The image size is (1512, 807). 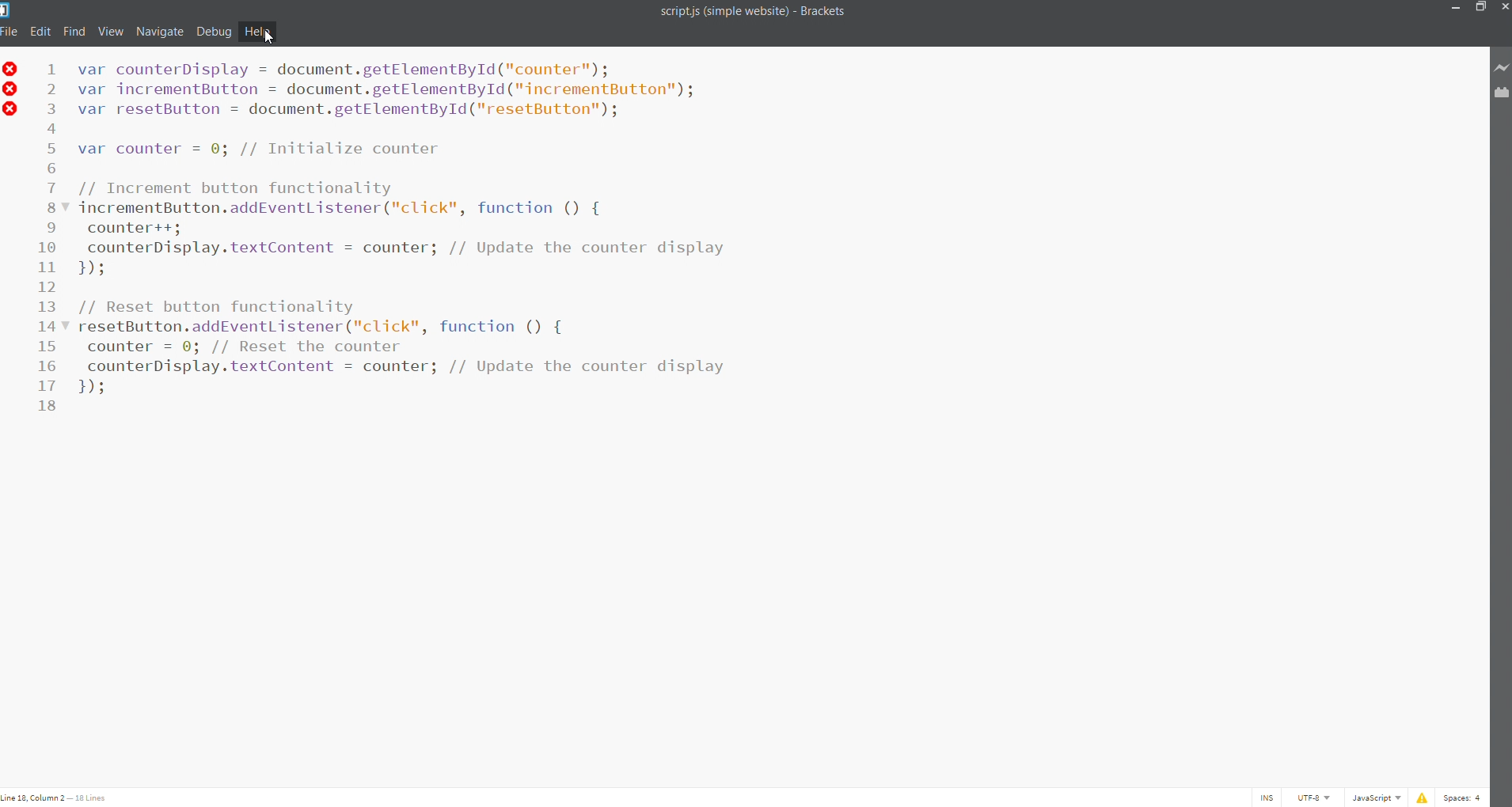 What do you see at coordinates (59, 798) in the screenshot?
I see `keyboard cursor position` at bounding box center [59, 798].